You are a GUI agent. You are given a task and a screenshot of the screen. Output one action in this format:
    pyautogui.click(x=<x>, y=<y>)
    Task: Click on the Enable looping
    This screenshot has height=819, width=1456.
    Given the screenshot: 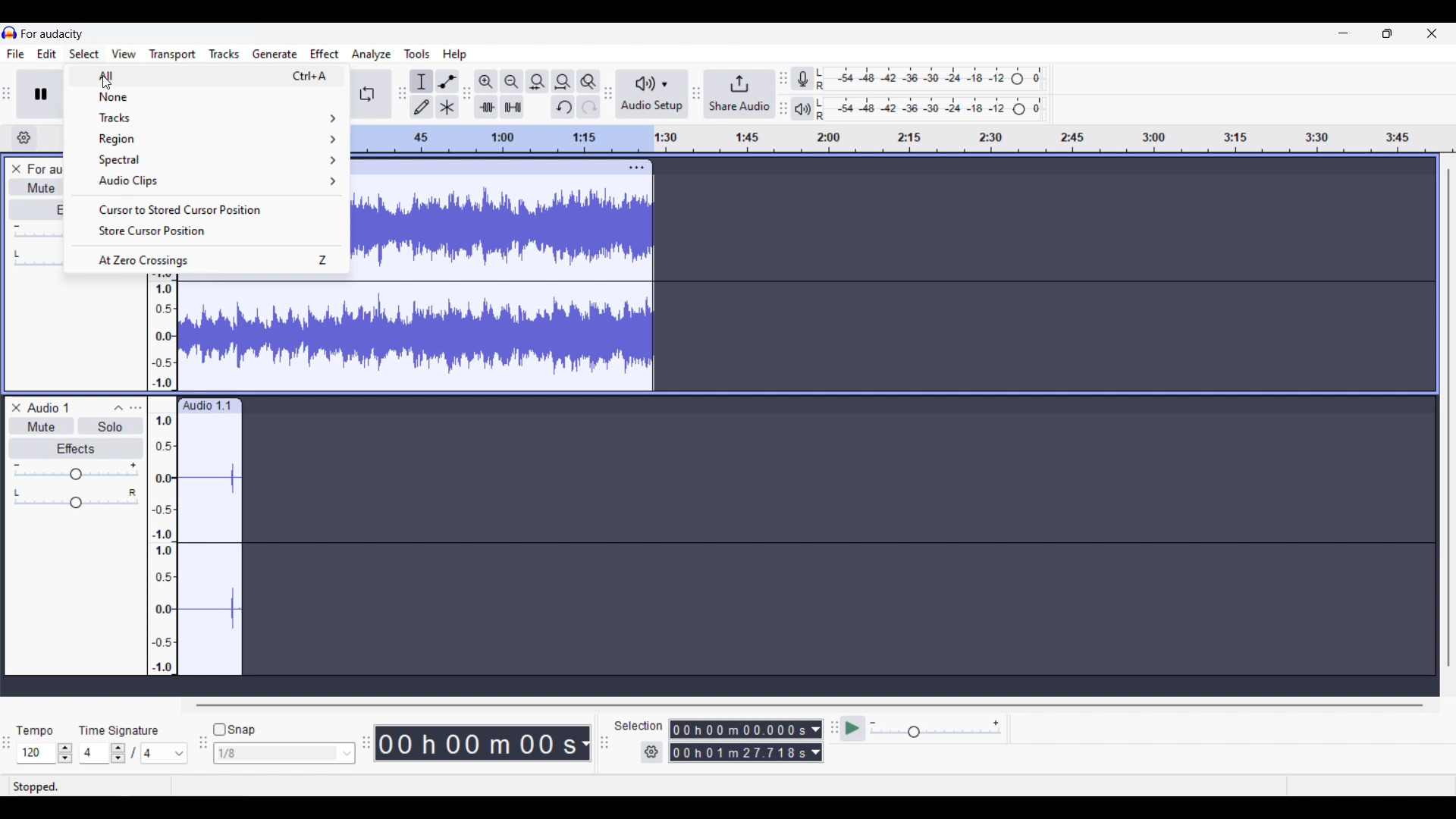 What is the action you would take?
    pyautogui.click(x=366, y=94)
    